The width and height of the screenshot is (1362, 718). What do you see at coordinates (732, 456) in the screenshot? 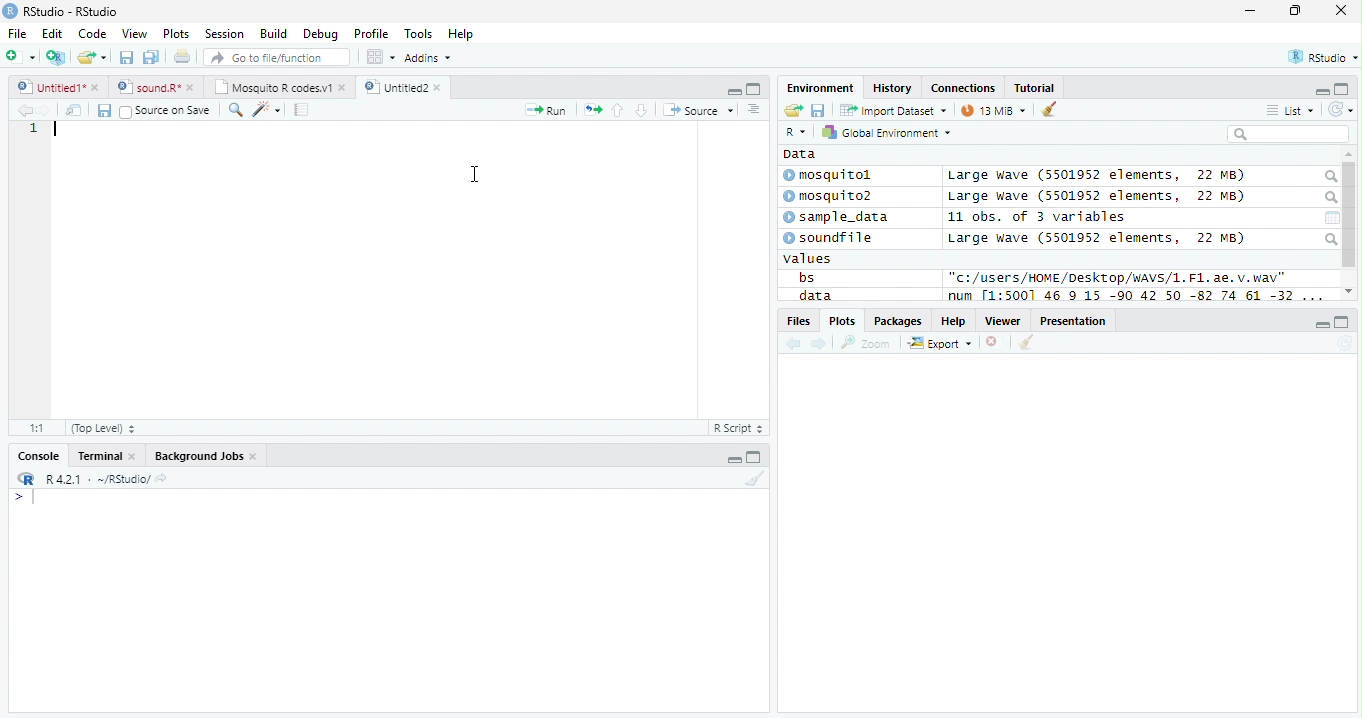
I see `minimize` at bounding box center [732, 456].